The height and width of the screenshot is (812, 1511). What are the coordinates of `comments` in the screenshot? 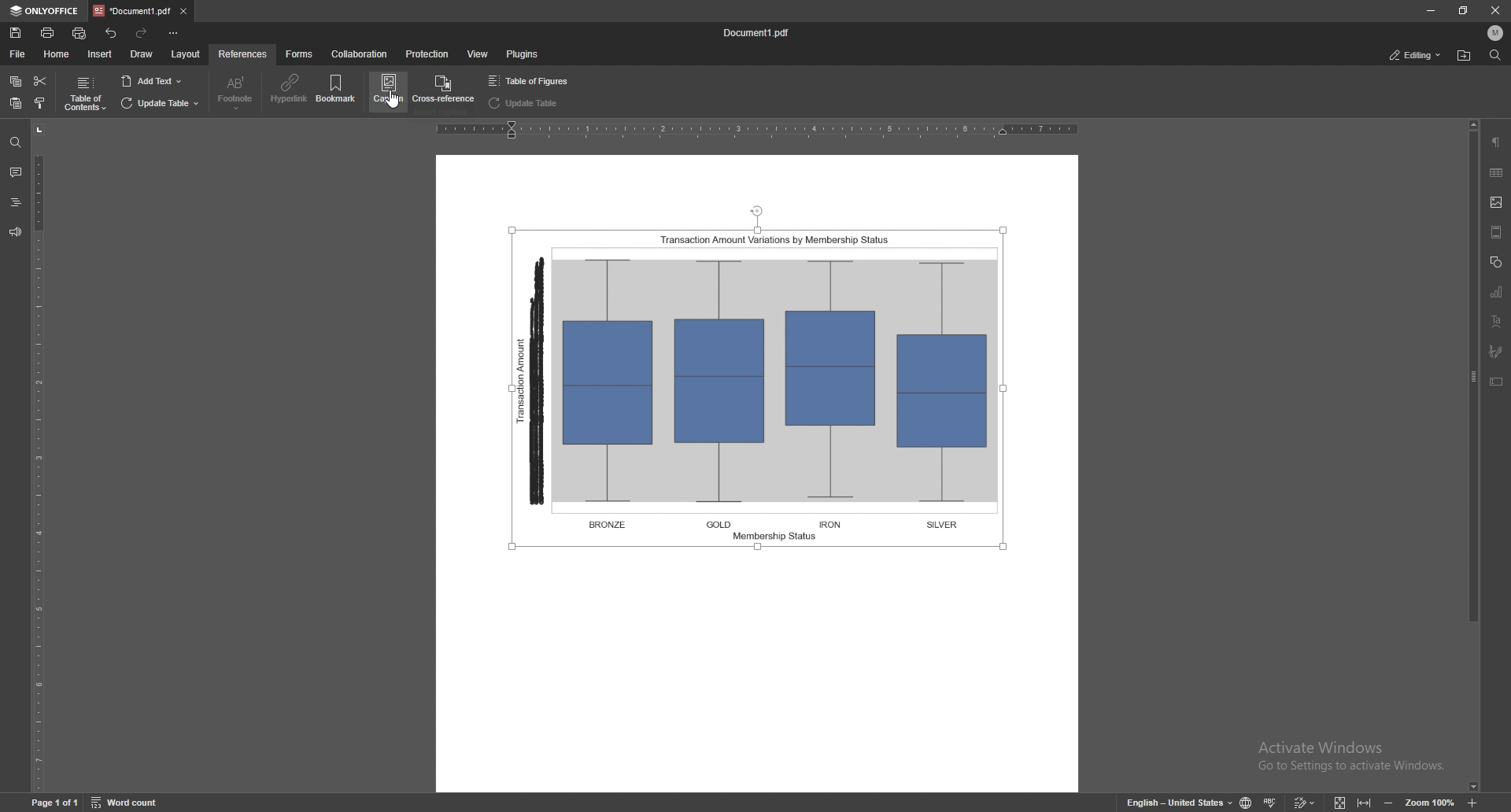 It's located at (14, 171).